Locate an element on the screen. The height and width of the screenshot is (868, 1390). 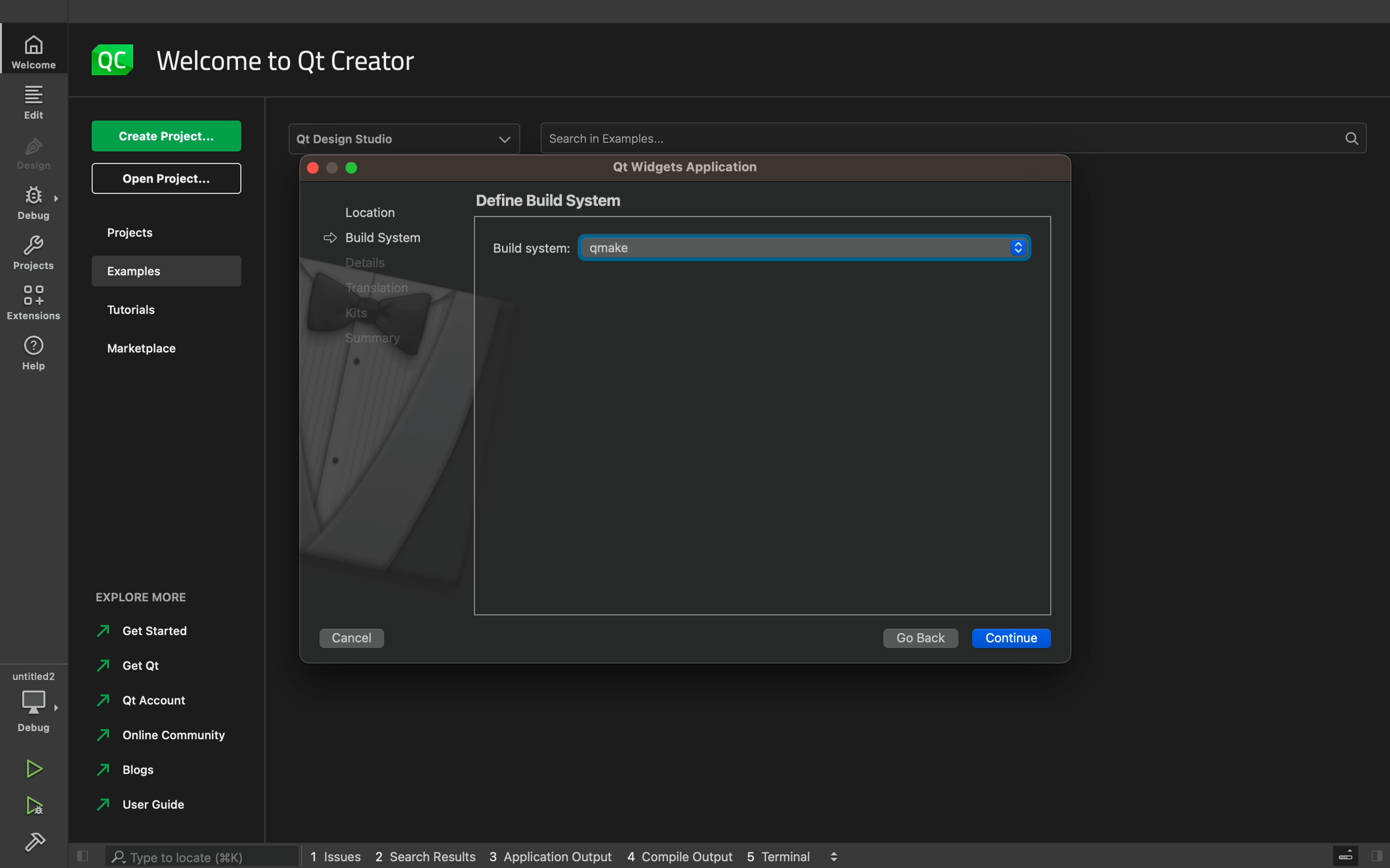
explore more is located at coordinates (148, 598).